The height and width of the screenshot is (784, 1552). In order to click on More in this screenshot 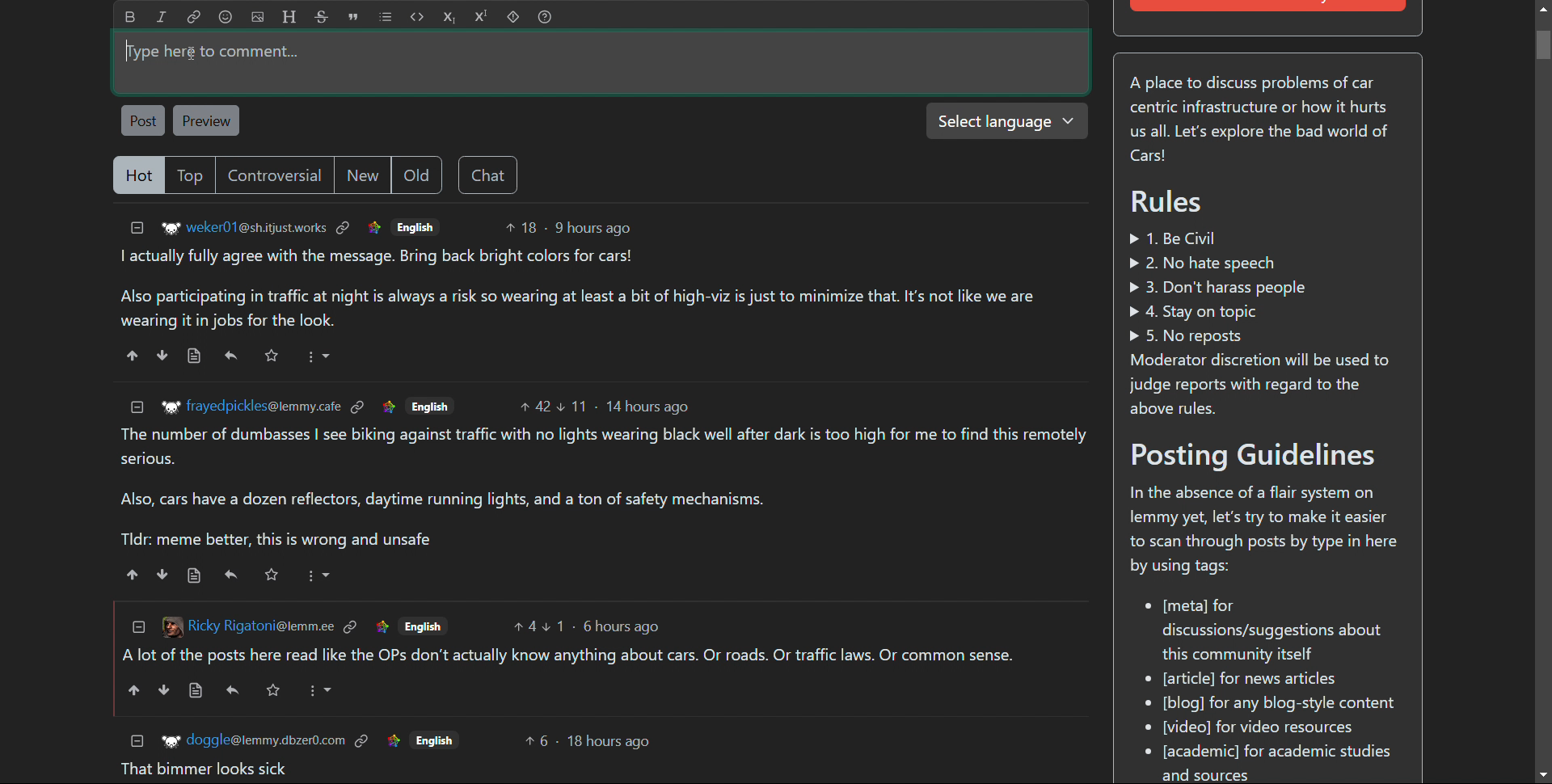, I will do `click(318, 575)`.